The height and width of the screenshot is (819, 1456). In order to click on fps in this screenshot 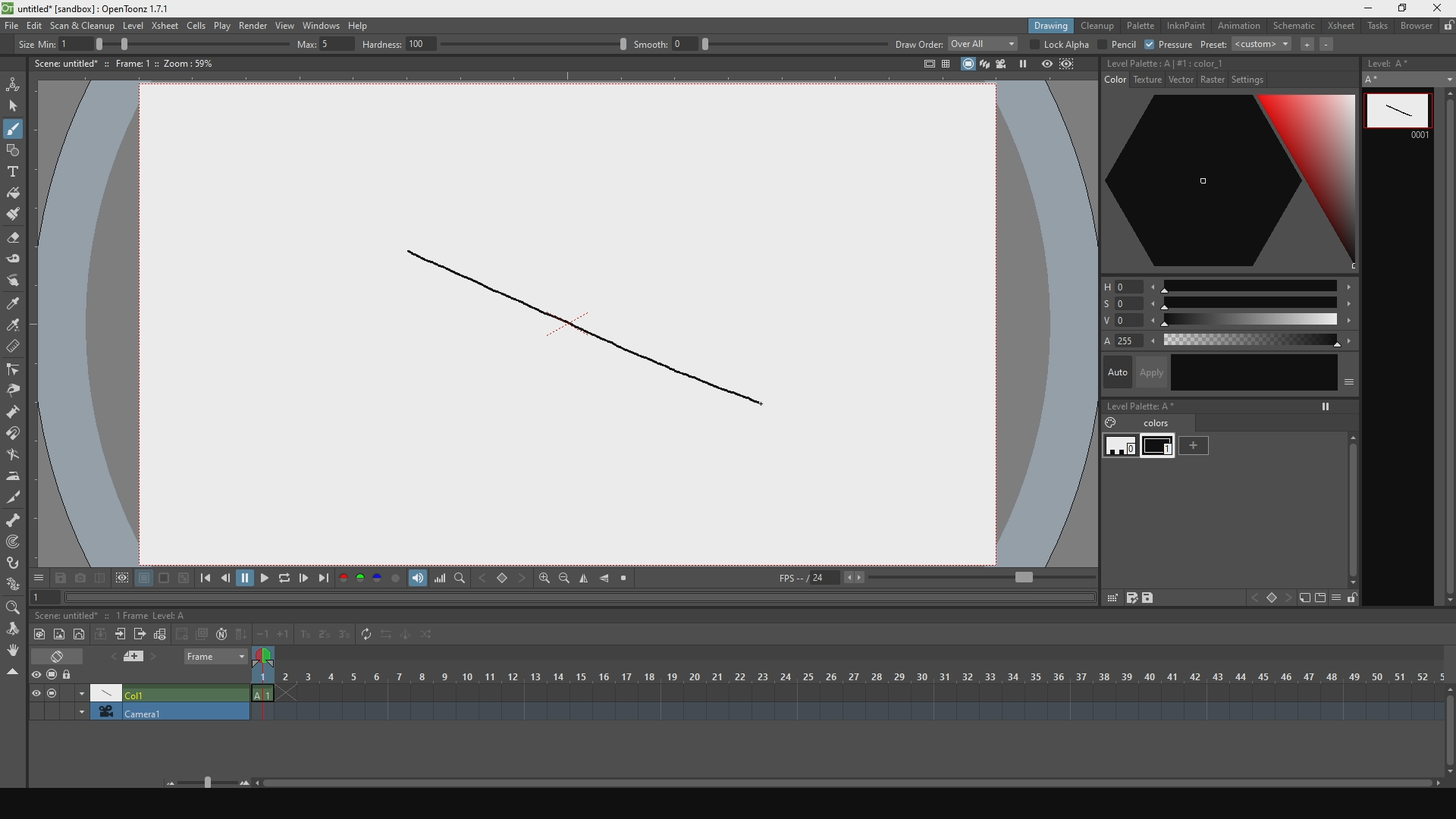, I will do `click(937, 578)`.